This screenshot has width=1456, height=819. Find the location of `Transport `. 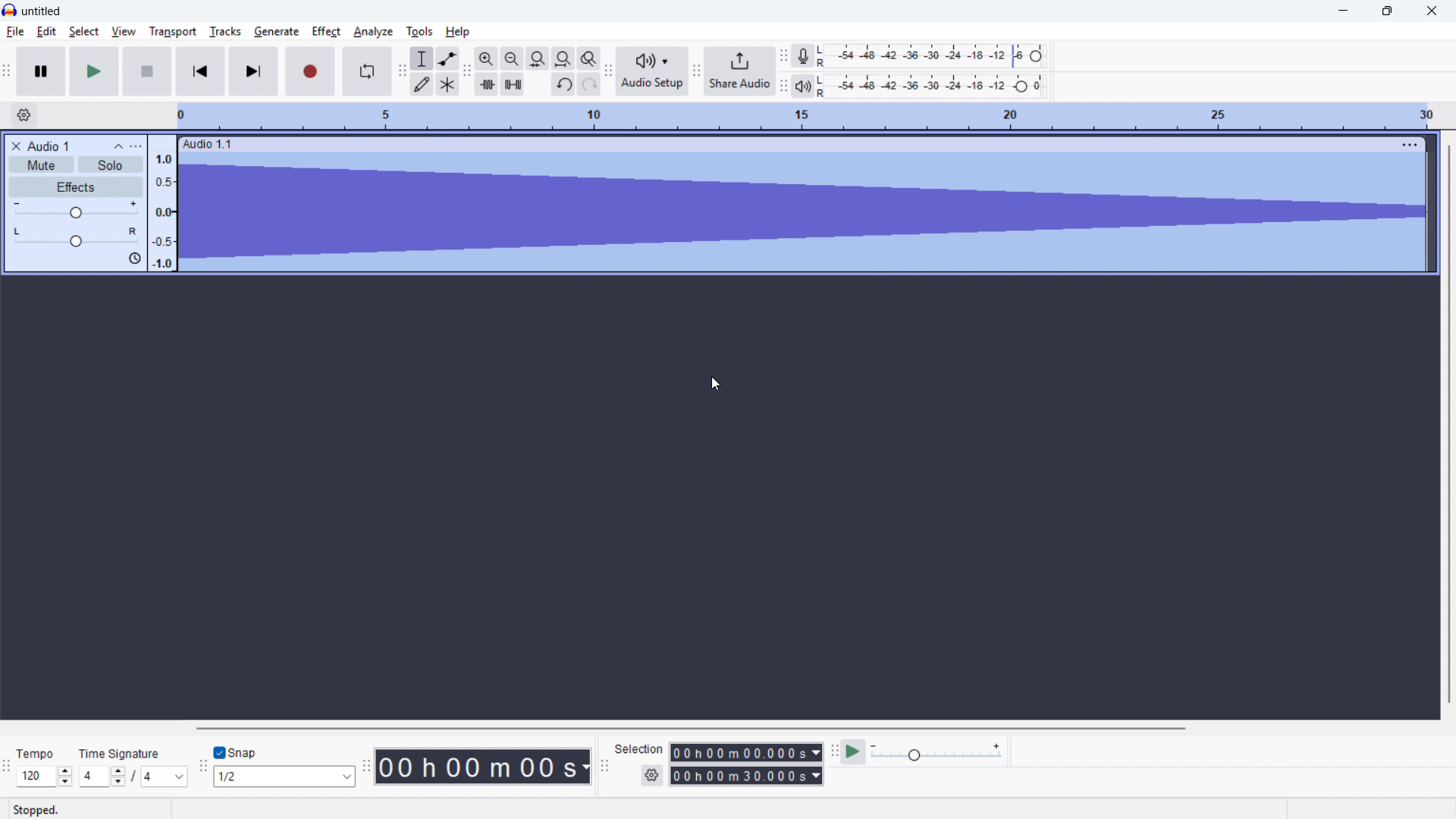

Transport  is located at coordinates (171, 31).